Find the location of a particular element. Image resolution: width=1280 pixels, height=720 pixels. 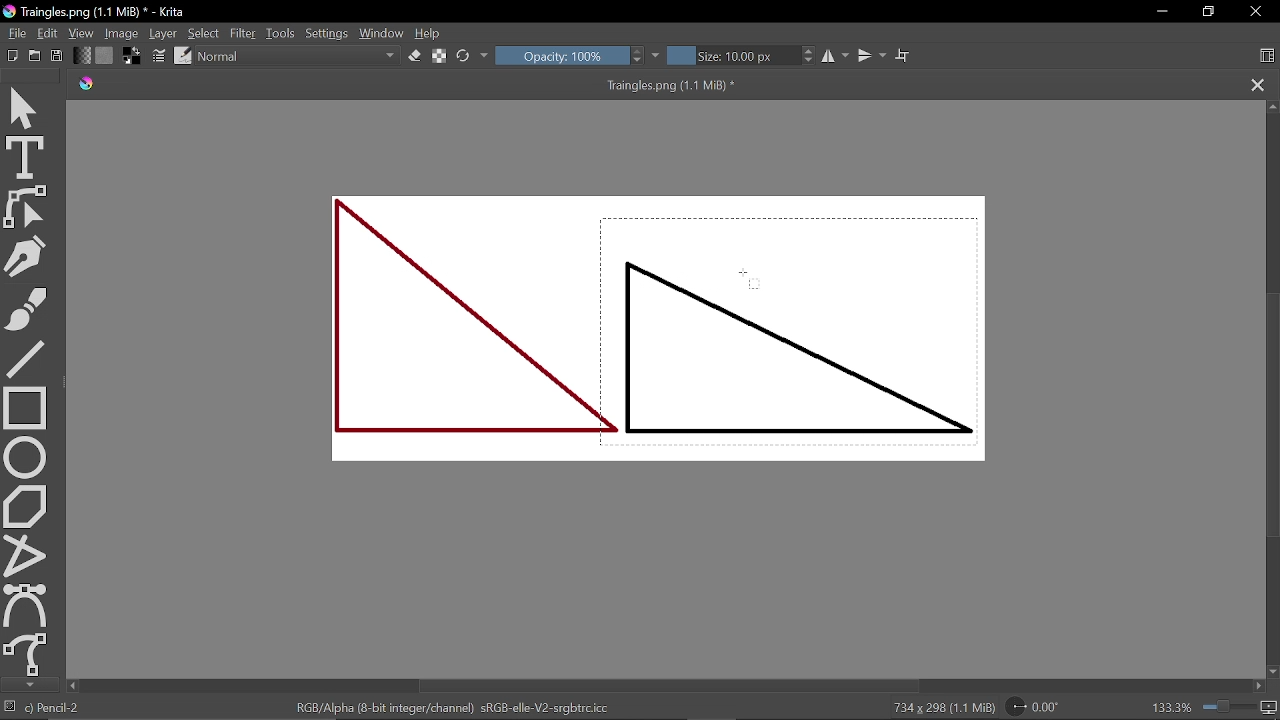

Fill gradient is located at coordinates (105, 56).